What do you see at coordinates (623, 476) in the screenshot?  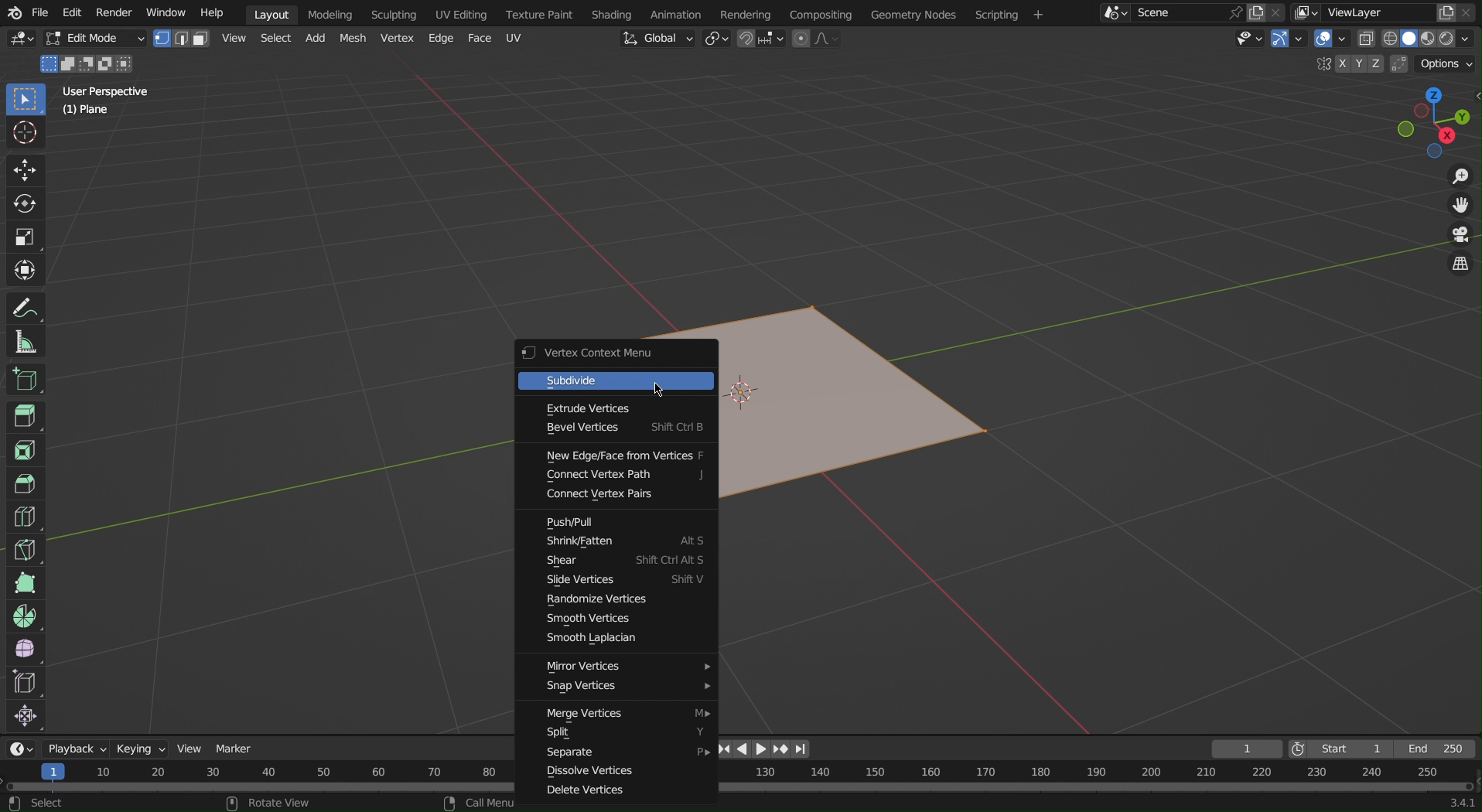 I see `Connect Vertex Path` at bounding box center [623, 476].